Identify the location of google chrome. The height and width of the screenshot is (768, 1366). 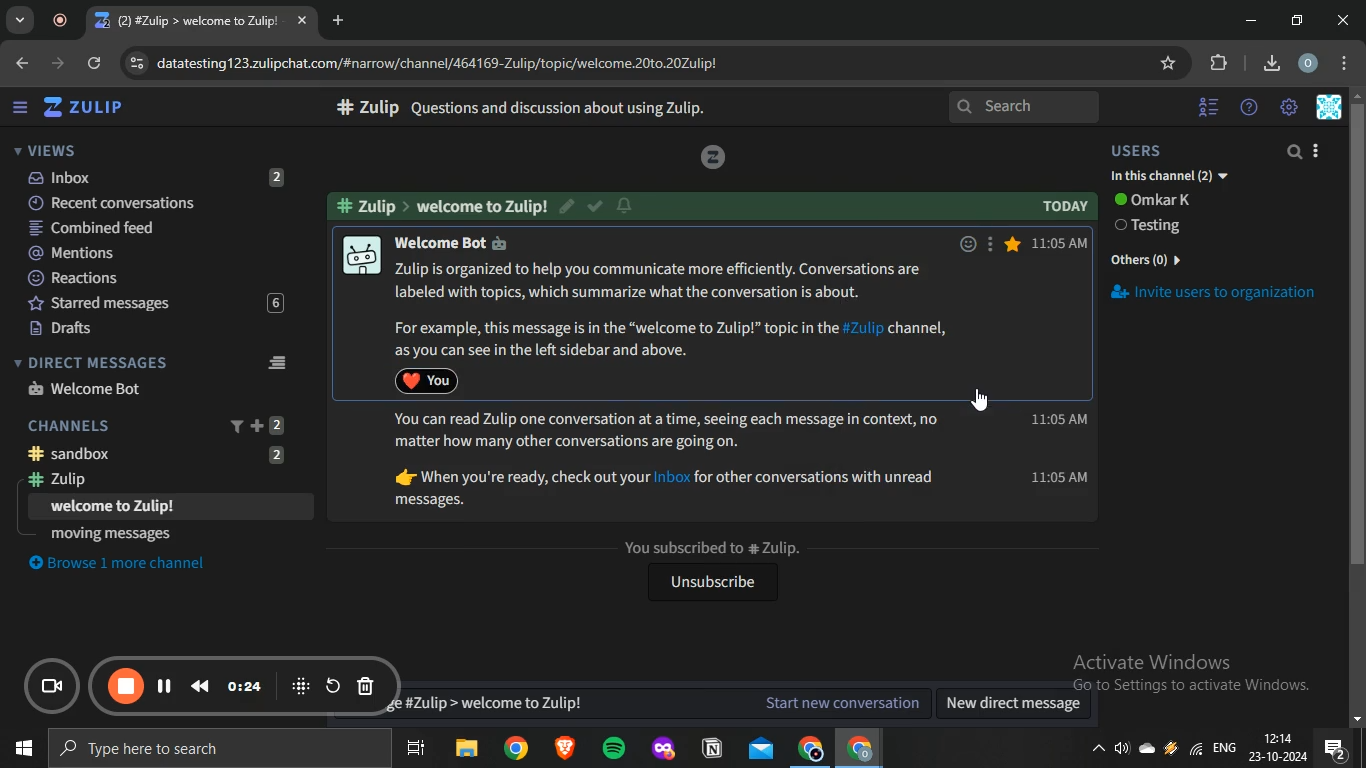
(515, 749).